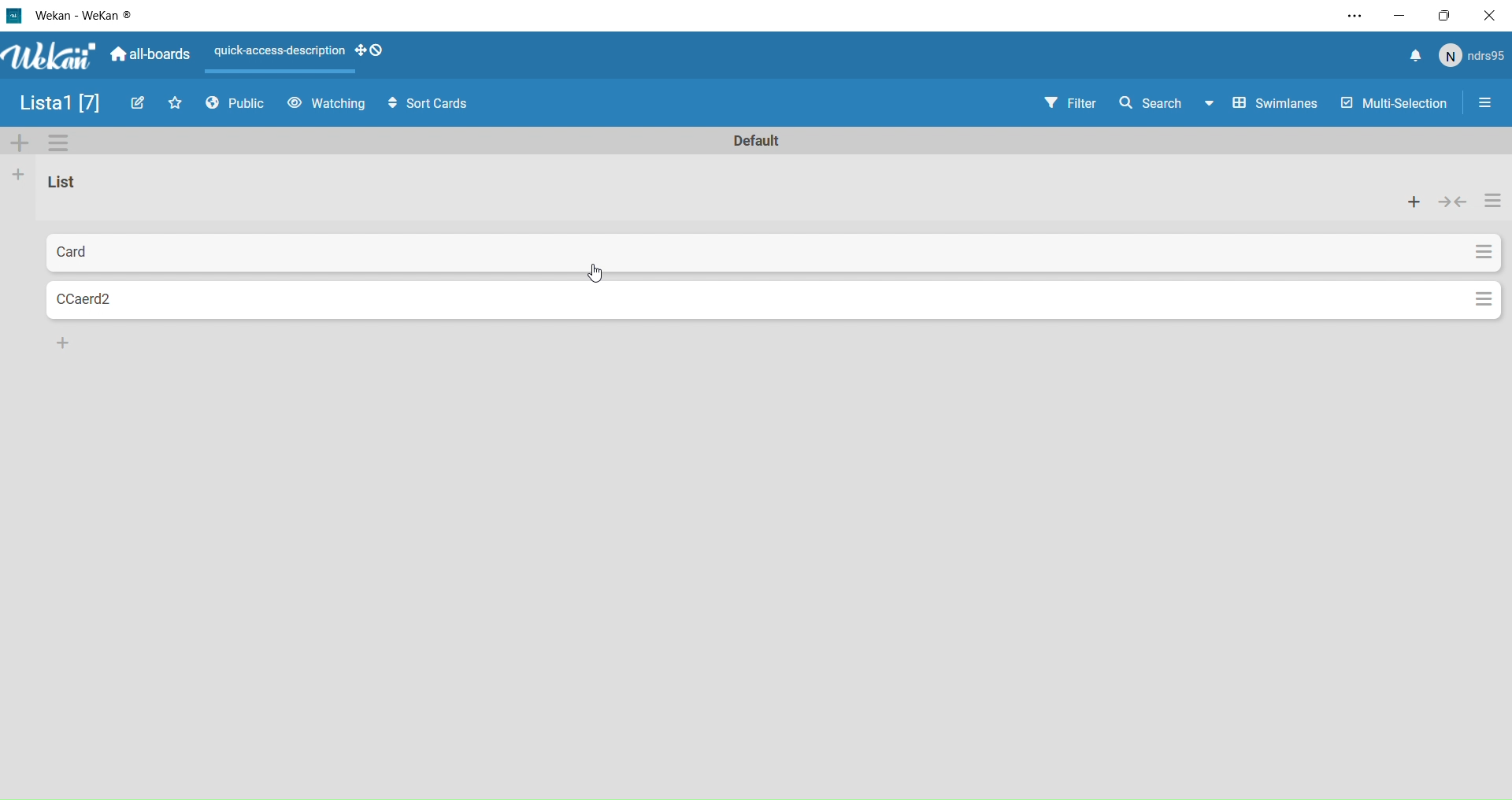  What do you see at coordinates (715, 141) in the screenshot?
I see `Text` at bounding box center [715, 141].